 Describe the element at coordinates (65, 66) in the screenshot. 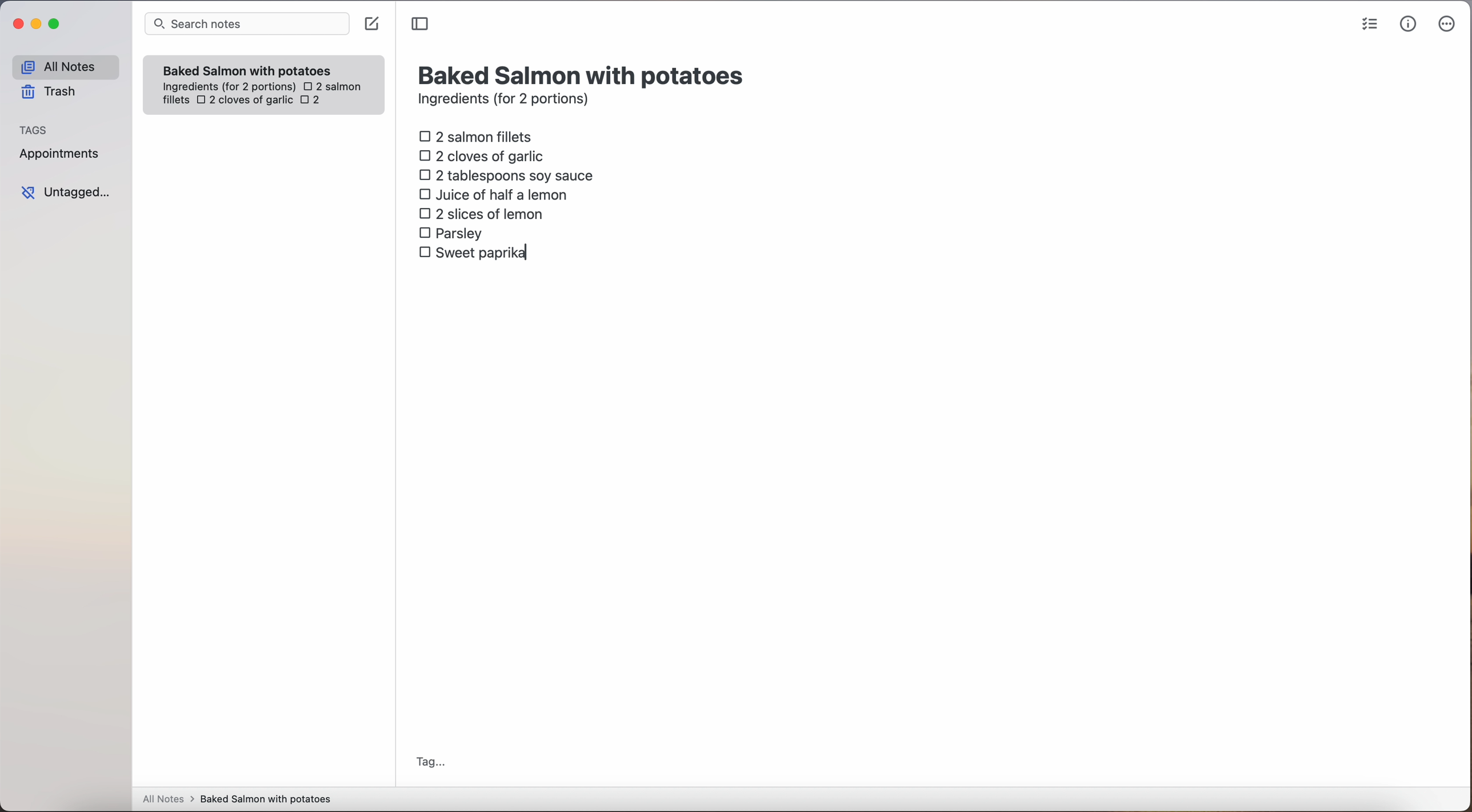

I see `all notes` at that location.